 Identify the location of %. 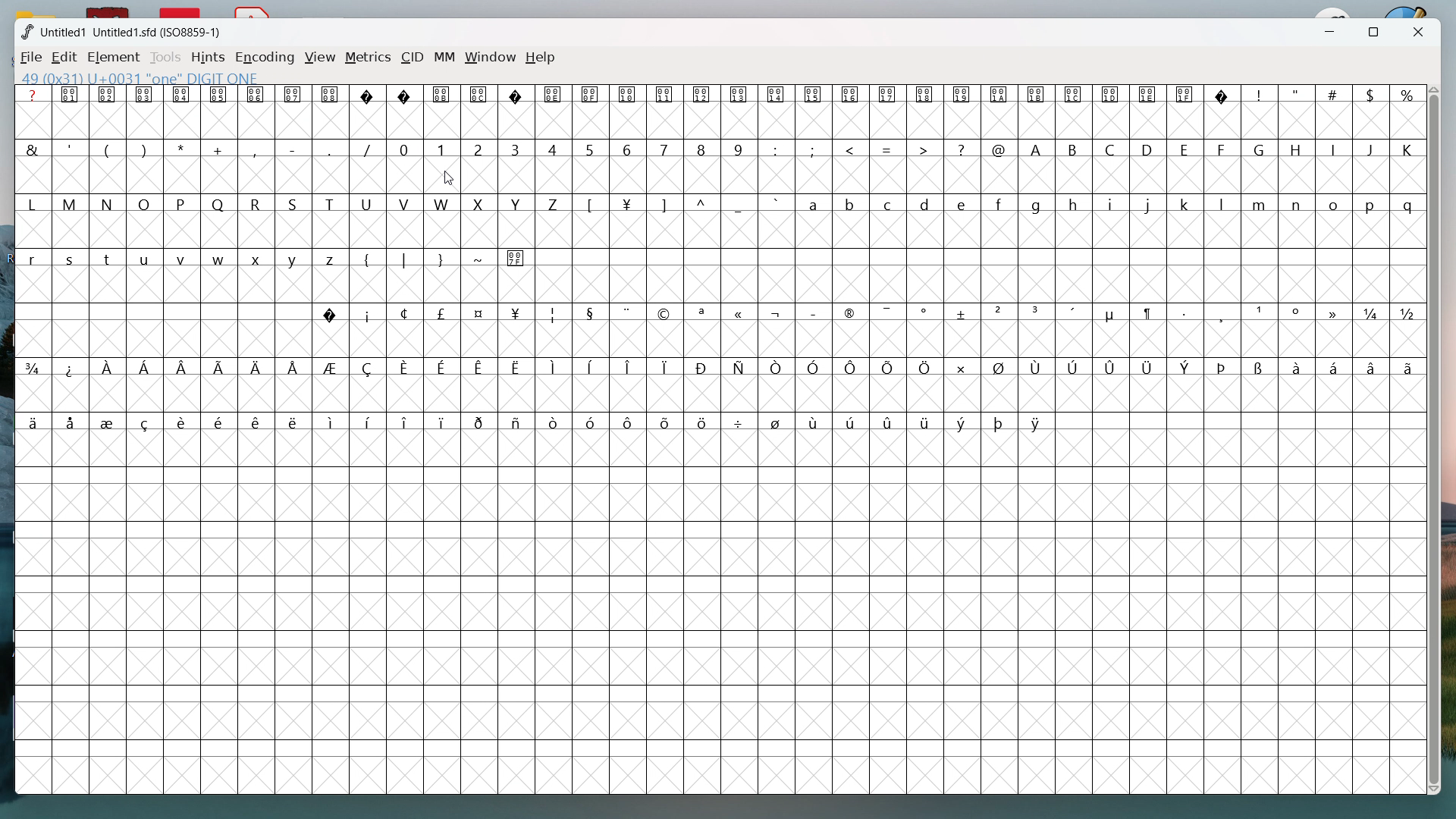
(1404, 93).